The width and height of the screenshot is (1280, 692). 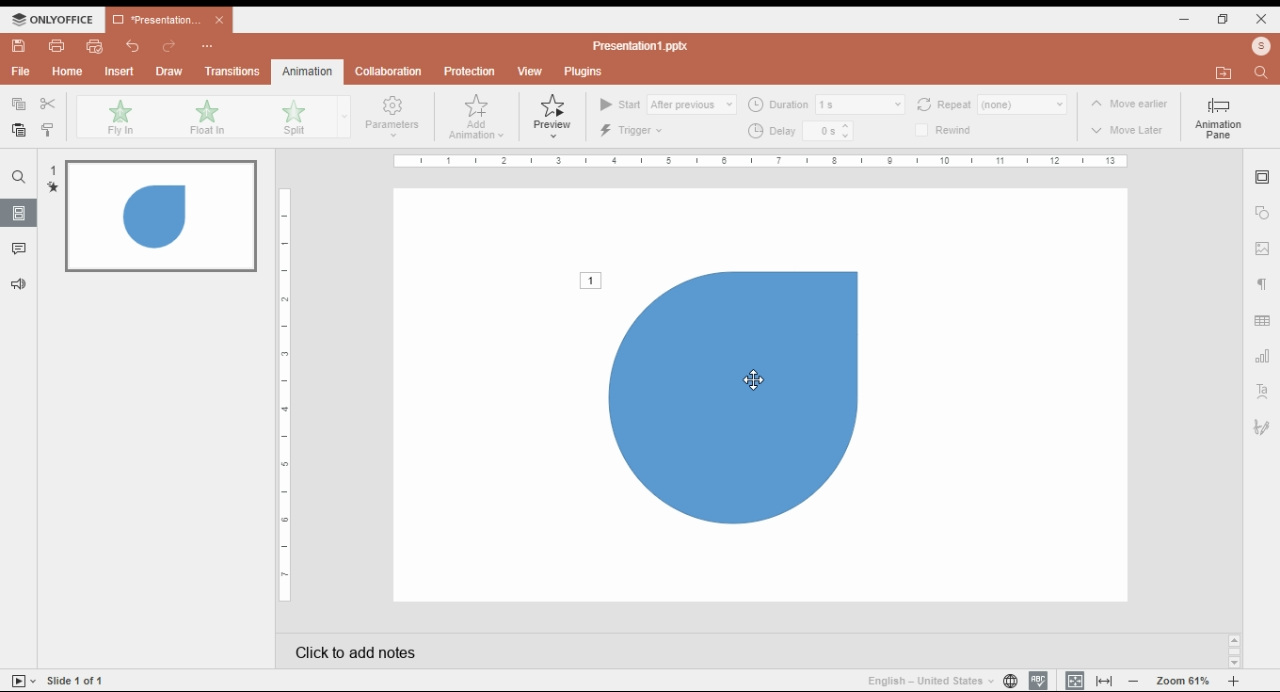 What do you see at coordinates (49, 130) in the screenshot?
I see `copy style` at bounding box center [49, 130].